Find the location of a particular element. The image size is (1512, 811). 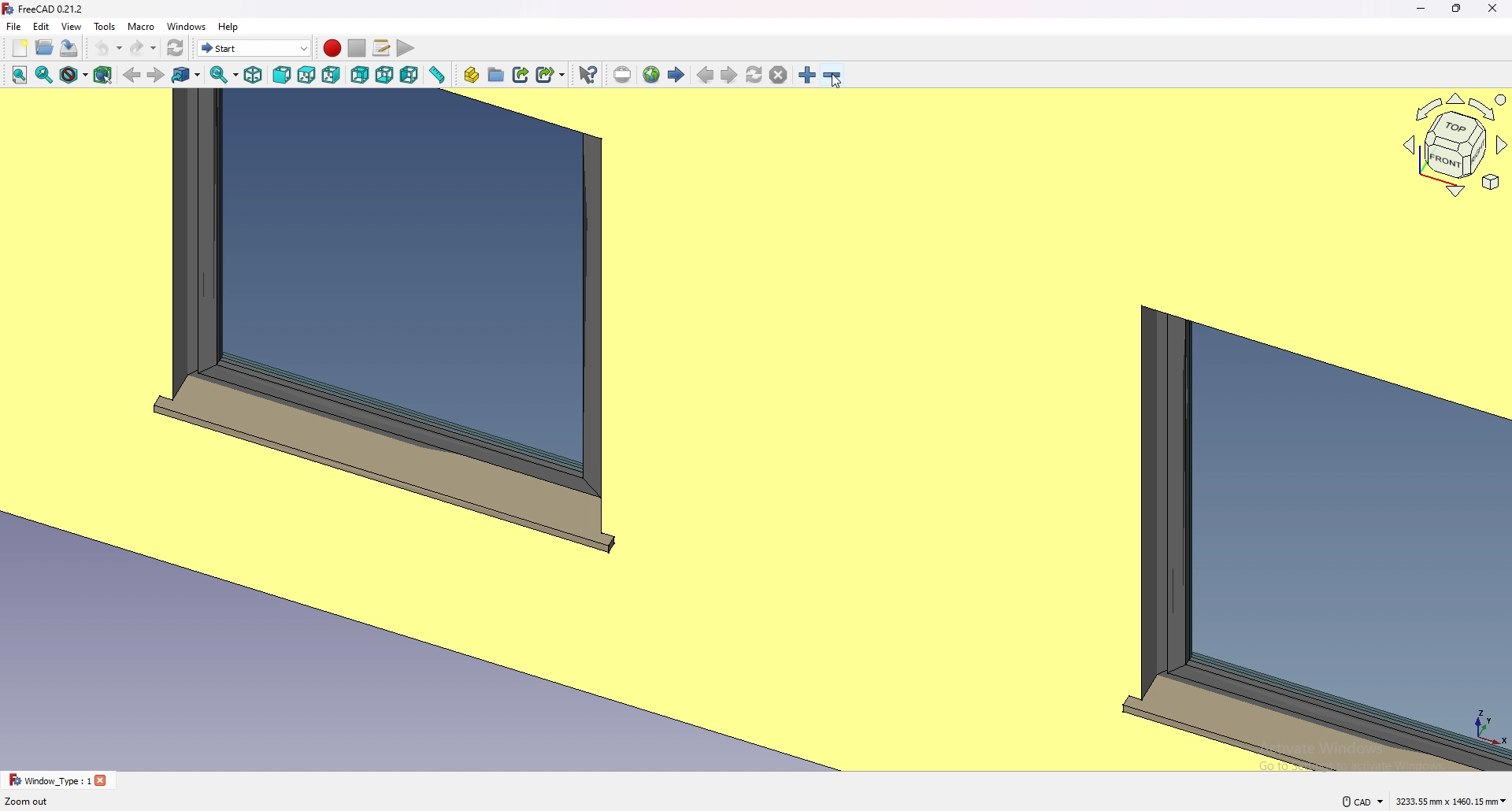

undo is located at coordinates (106, 48).